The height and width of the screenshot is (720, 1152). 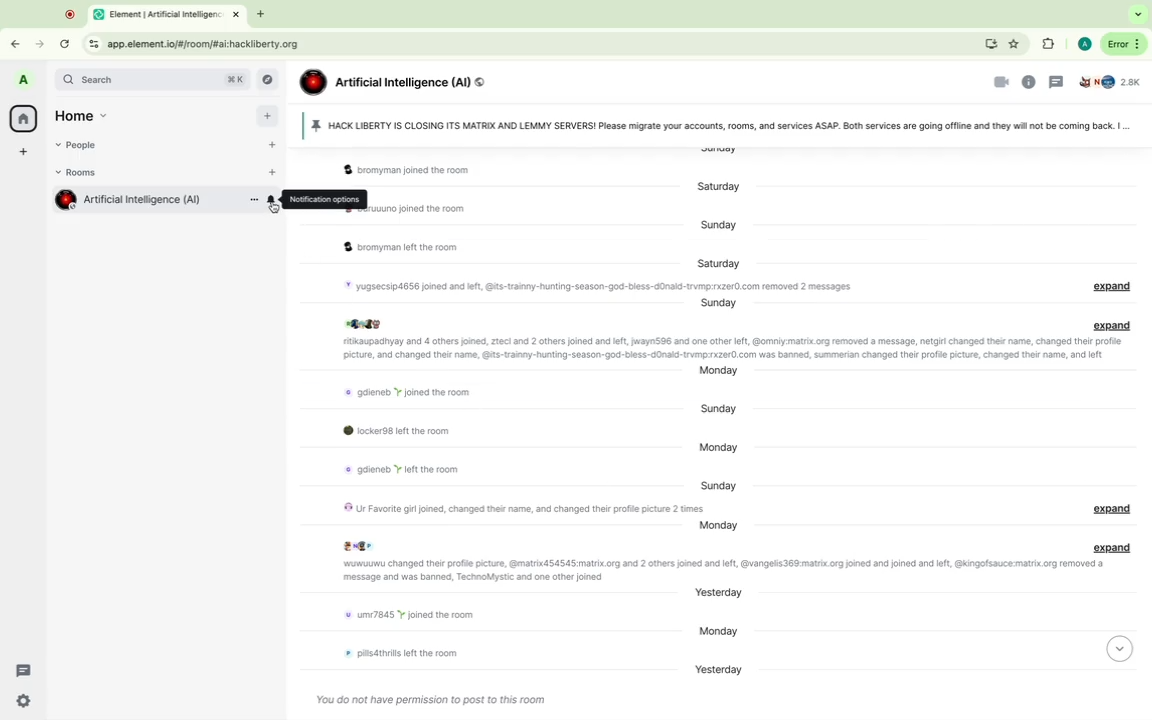 What do you see at coordinates (717, 672) in the screenshot?
I see `Day` at bounding box center [717, 672].